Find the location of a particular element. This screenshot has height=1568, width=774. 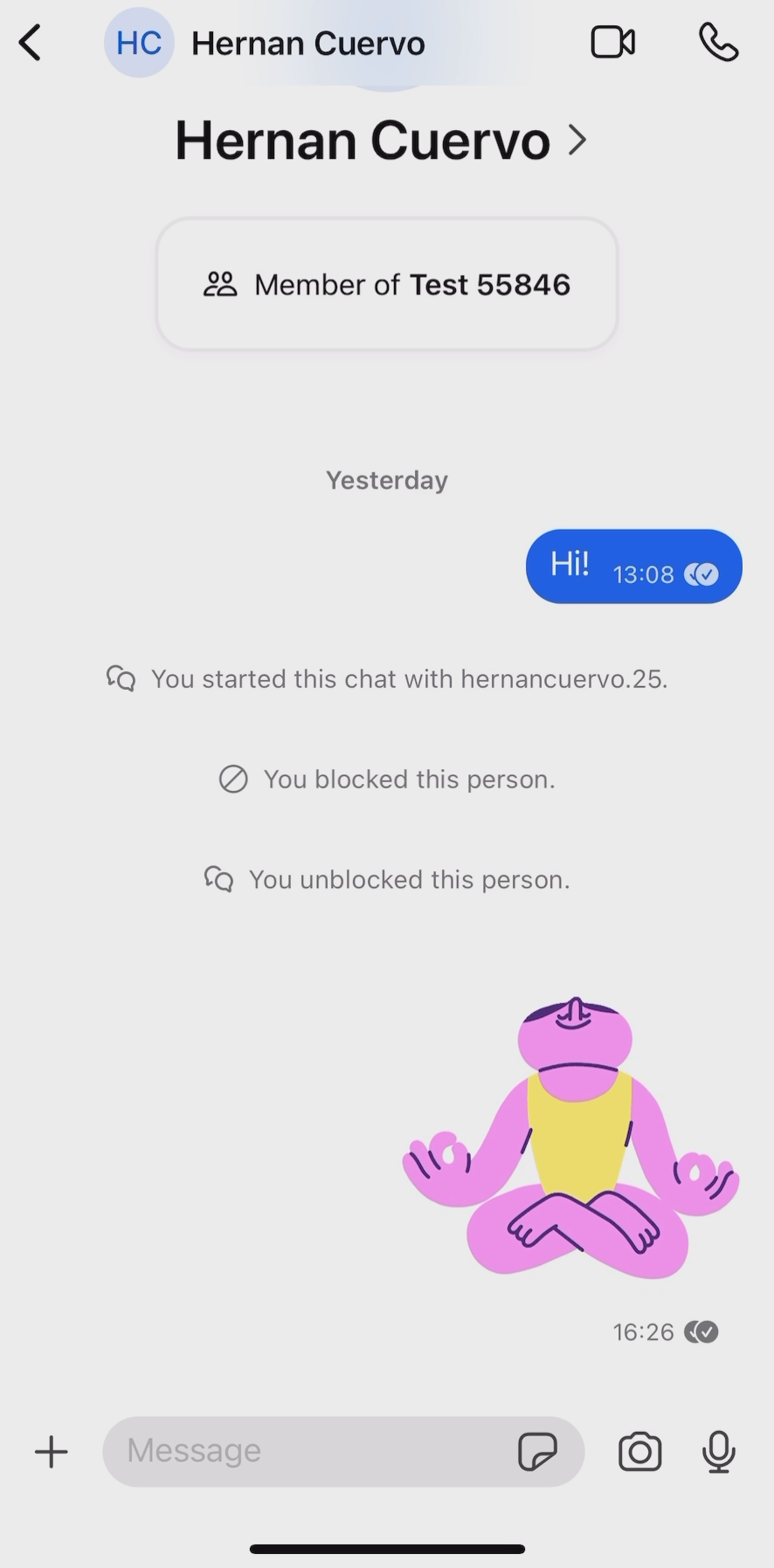

navigate back is located at coordinates (30, 43).